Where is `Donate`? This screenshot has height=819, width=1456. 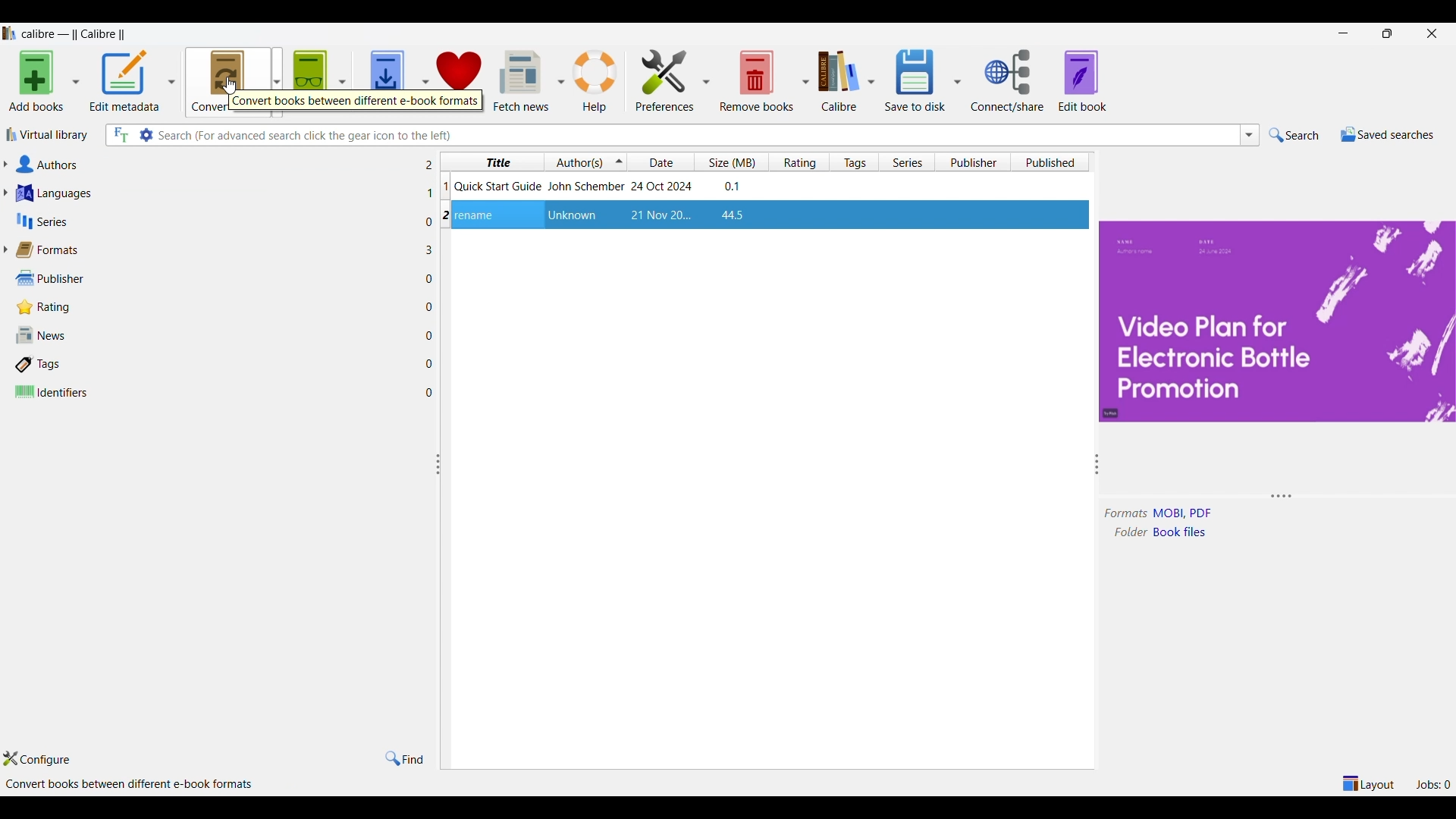
Donate is located at coordinates (459, 80).